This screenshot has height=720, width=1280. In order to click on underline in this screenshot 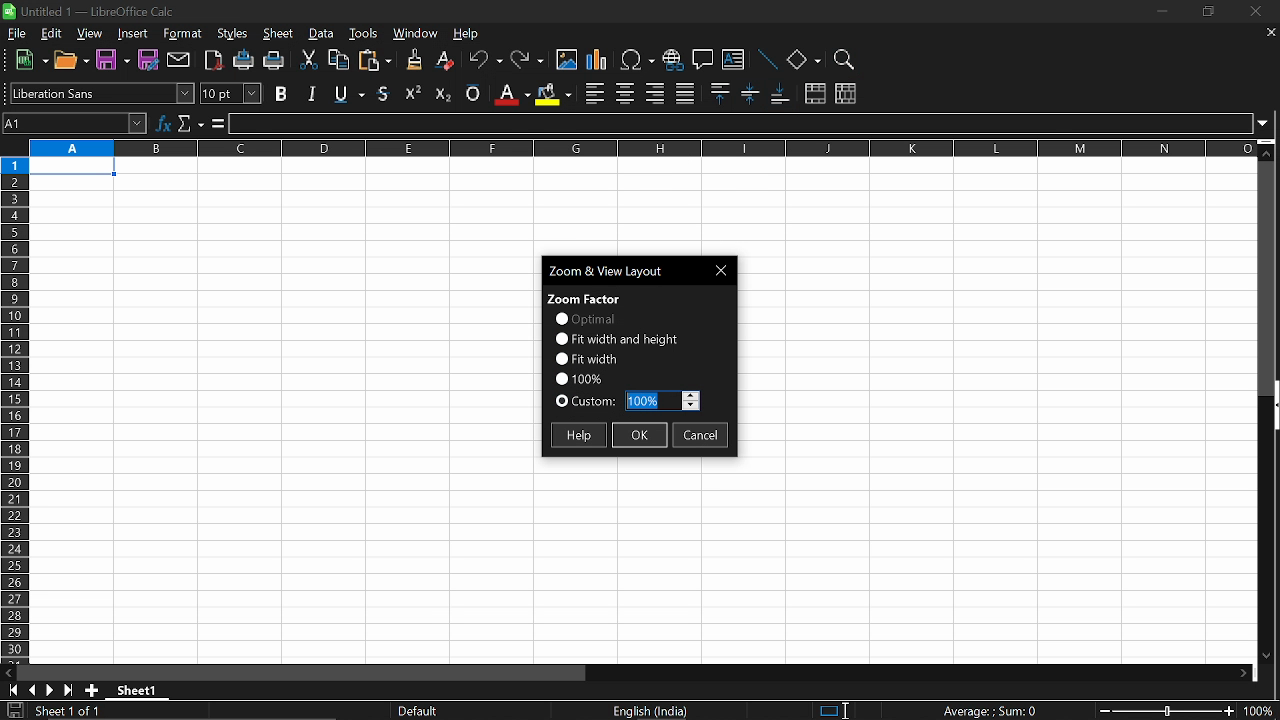, I will do `click(385, 93)`.